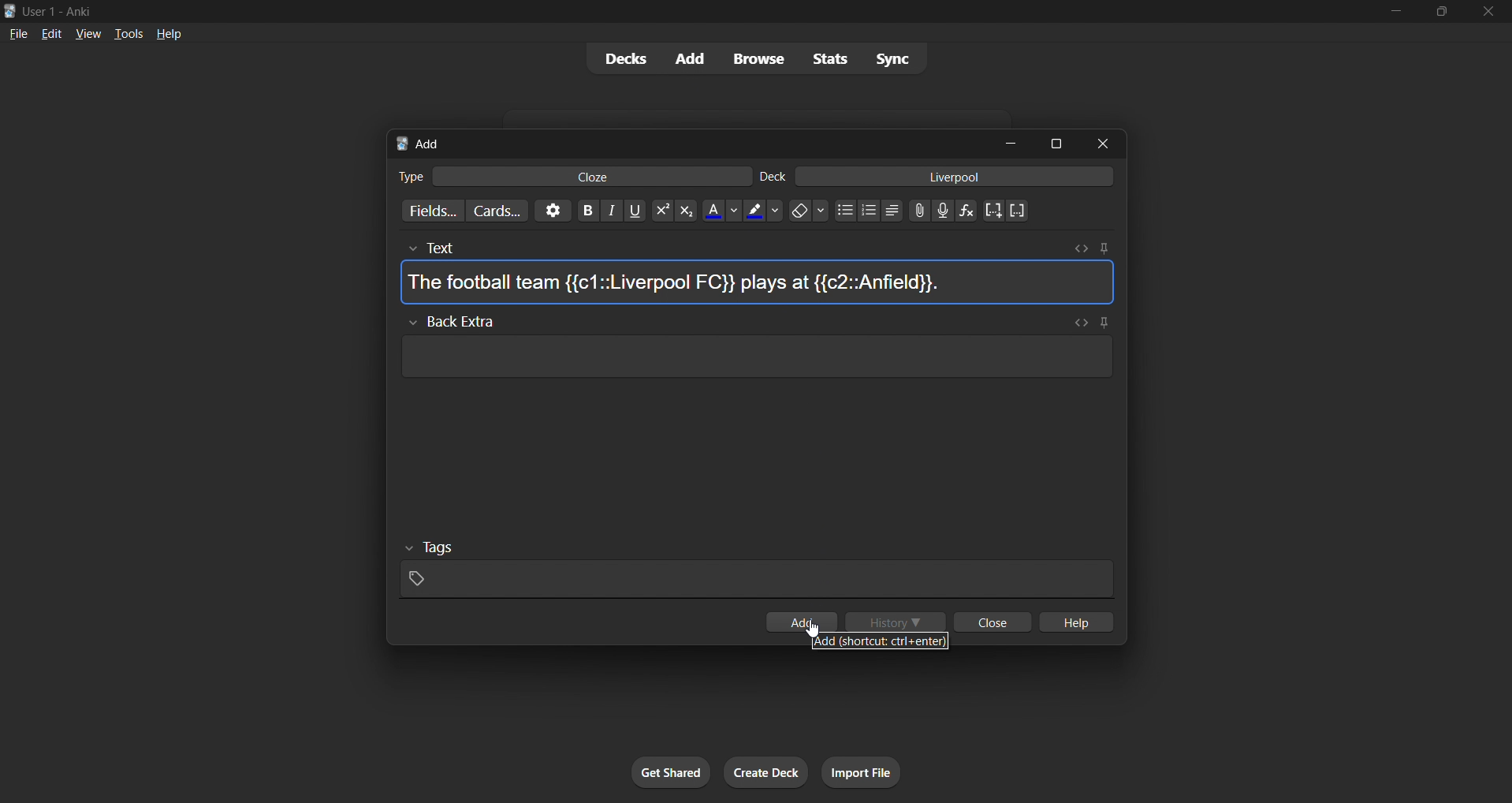 Image resolution: width=1512 pixels, height=803 pixels. Describe the element at coordinates (17, 35) in the screenshot. I see `file` at that location.